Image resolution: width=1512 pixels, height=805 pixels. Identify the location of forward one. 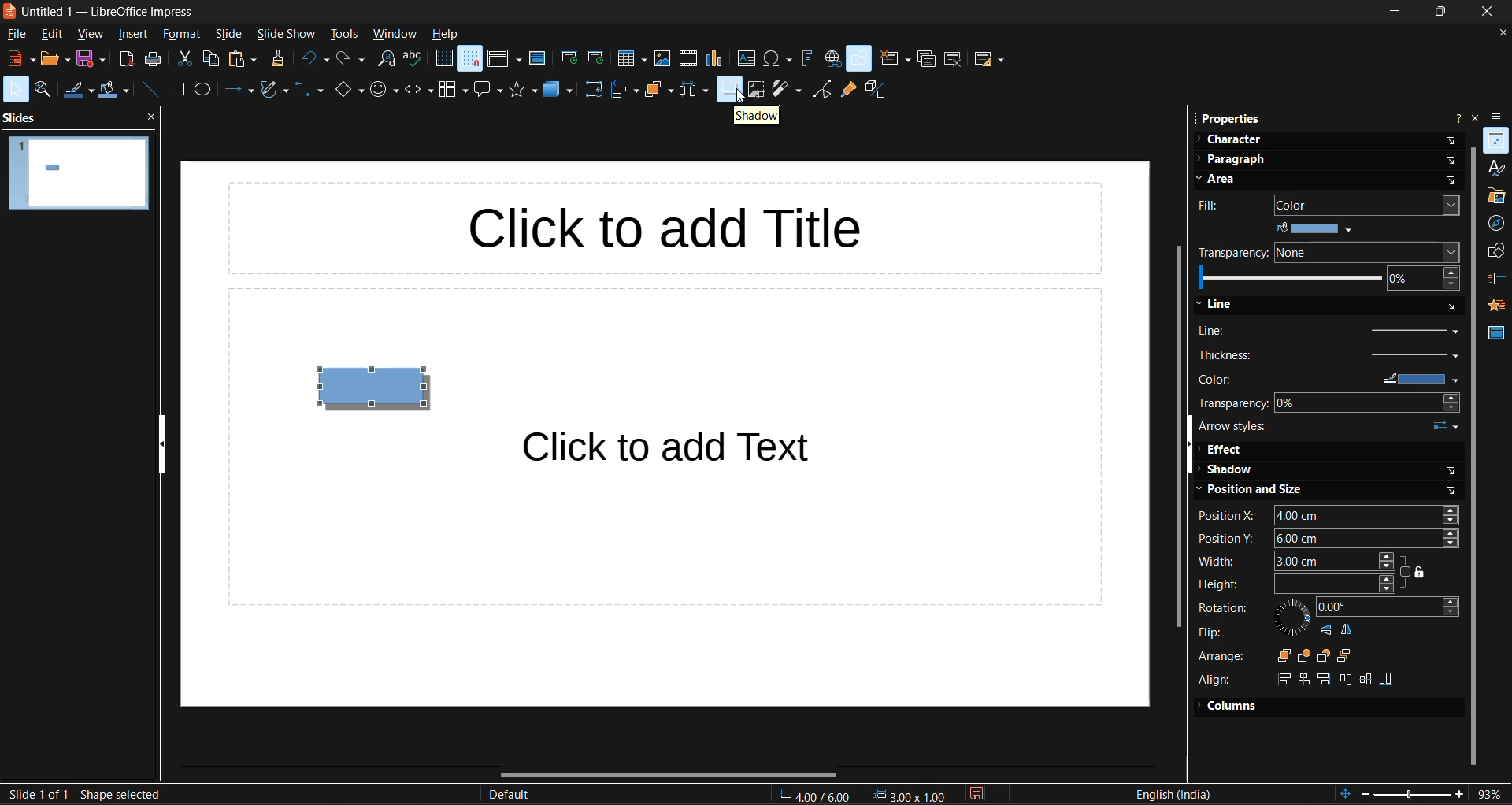
(1303, 655).